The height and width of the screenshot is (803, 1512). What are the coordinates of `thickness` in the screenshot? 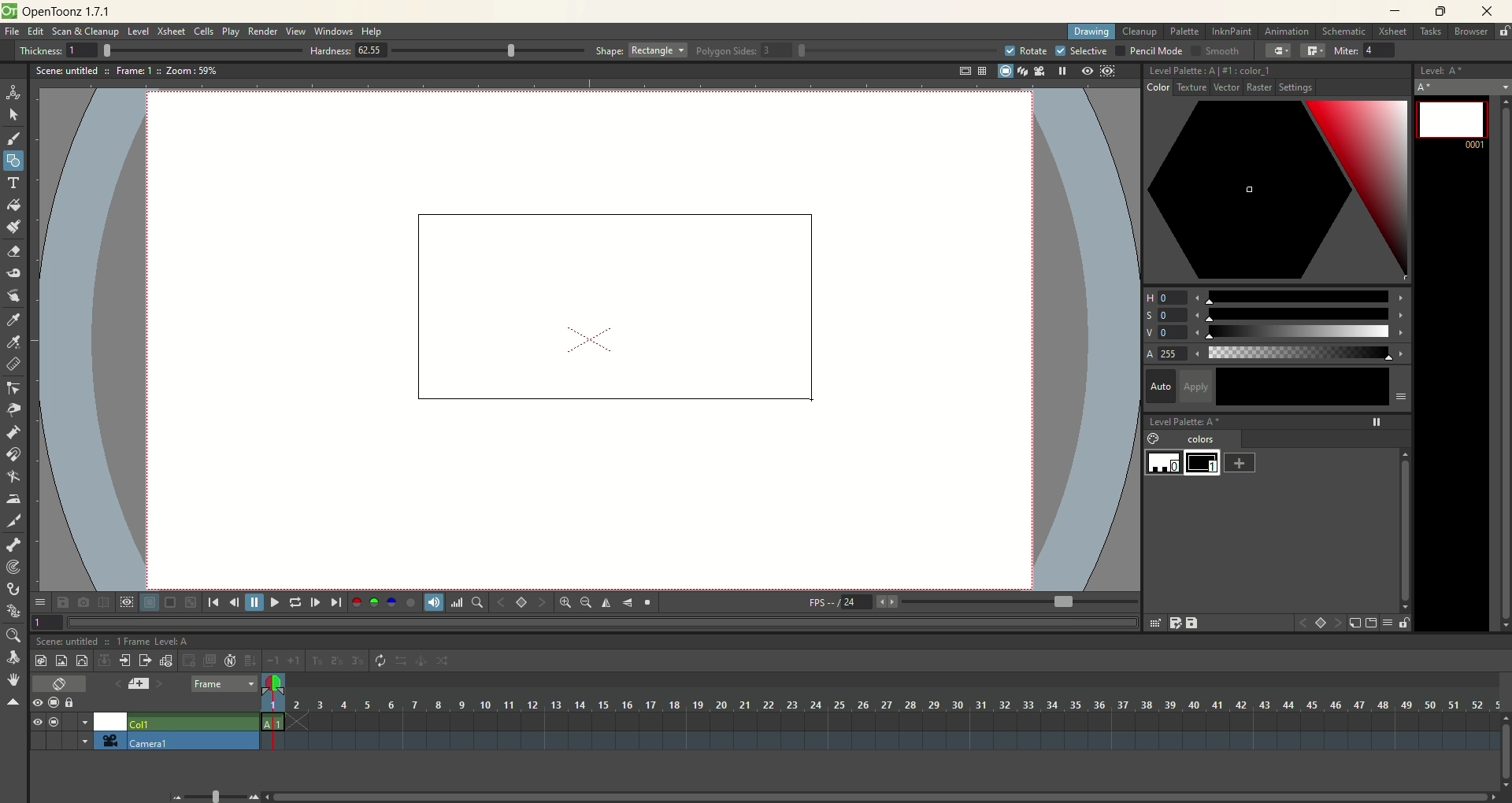 It's located at (154, 50).